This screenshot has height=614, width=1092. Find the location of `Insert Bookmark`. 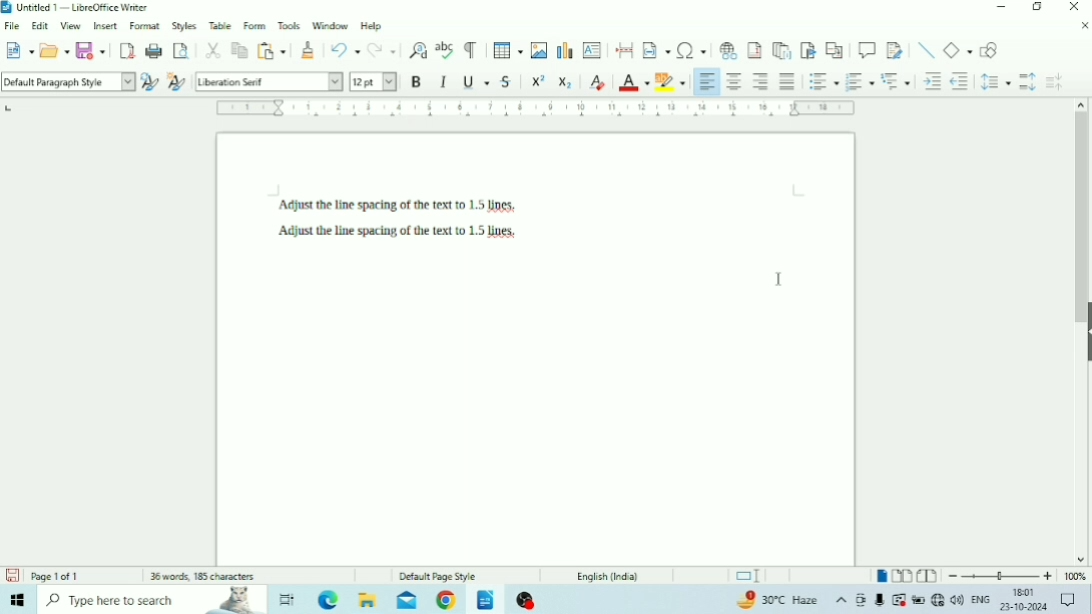

Insert Bookmark is located at coordinates (809, 49).